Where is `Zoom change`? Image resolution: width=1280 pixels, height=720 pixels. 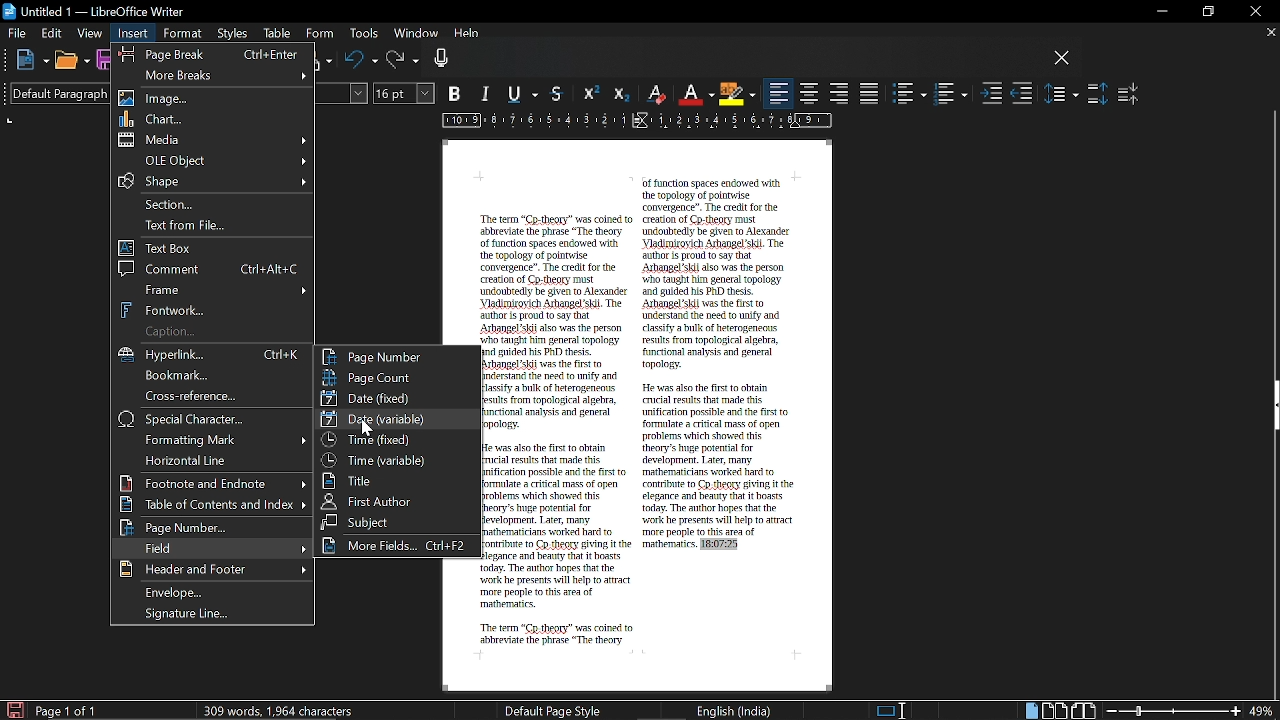
Zoom change is located at coordinates (1174, 711).